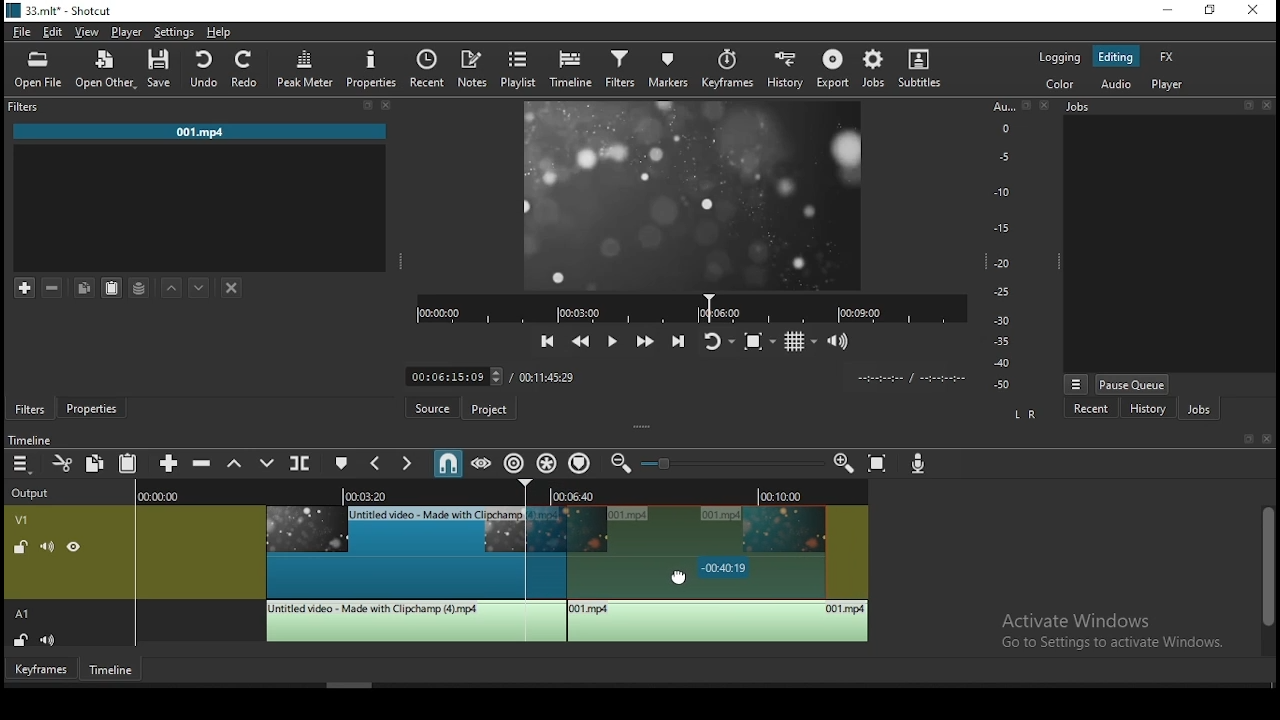  Describe the element at coordinates (715, 340) in the screenshot. I see `toggle player looping` at that location.